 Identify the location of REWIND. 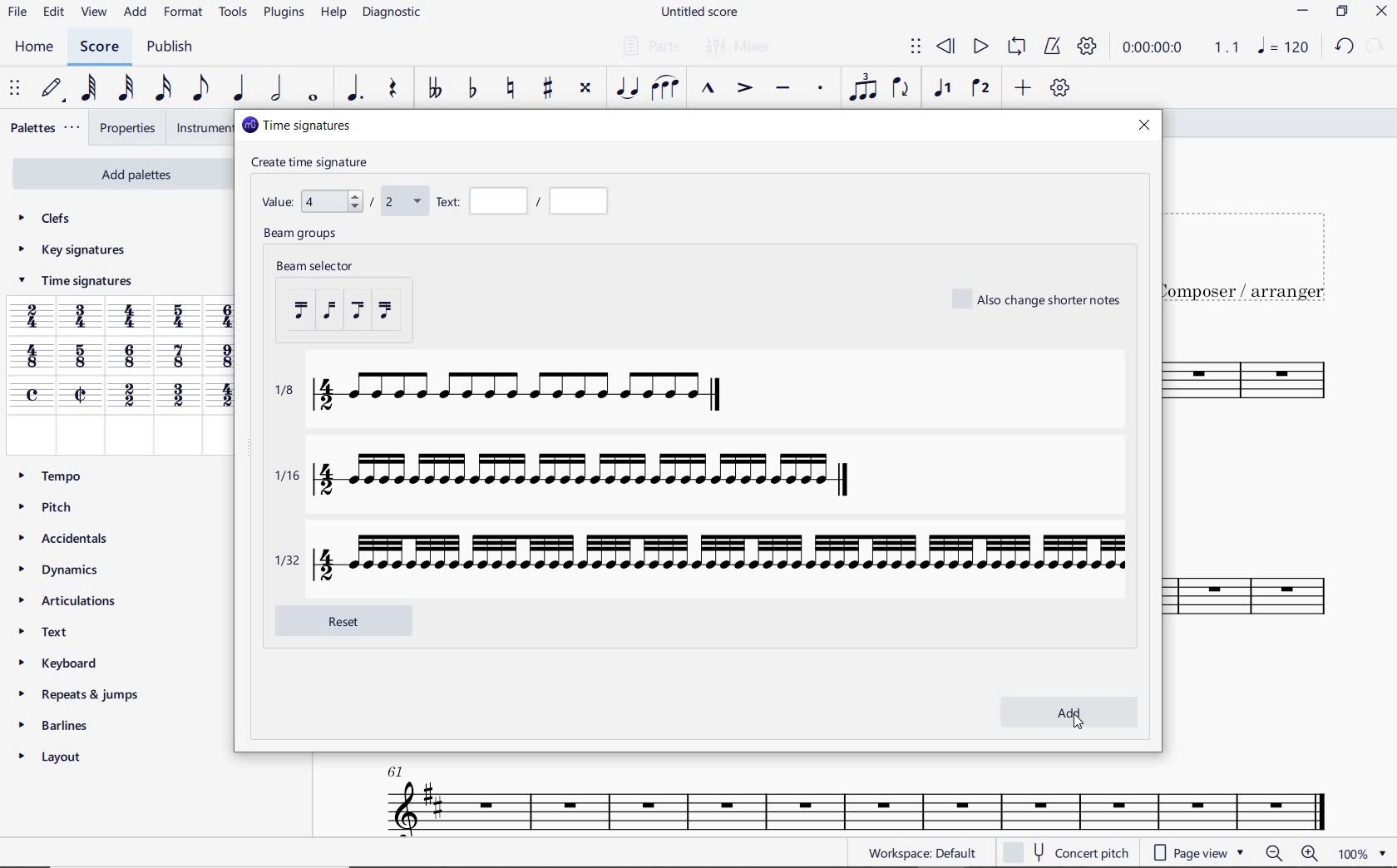
(945, 46).